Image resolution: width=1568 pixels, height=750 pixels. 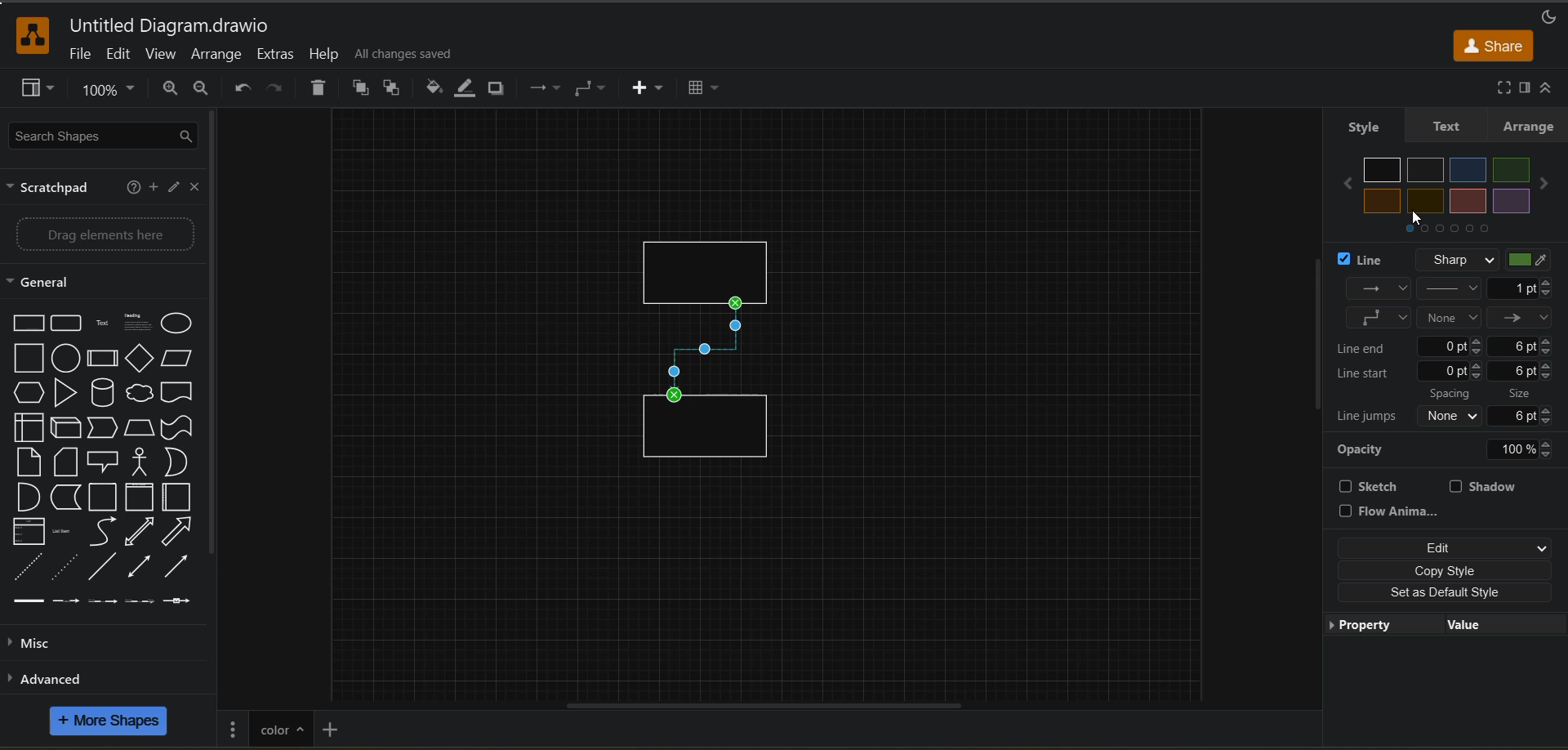 I want to click on Spacing, so click(x=1453, y=393).